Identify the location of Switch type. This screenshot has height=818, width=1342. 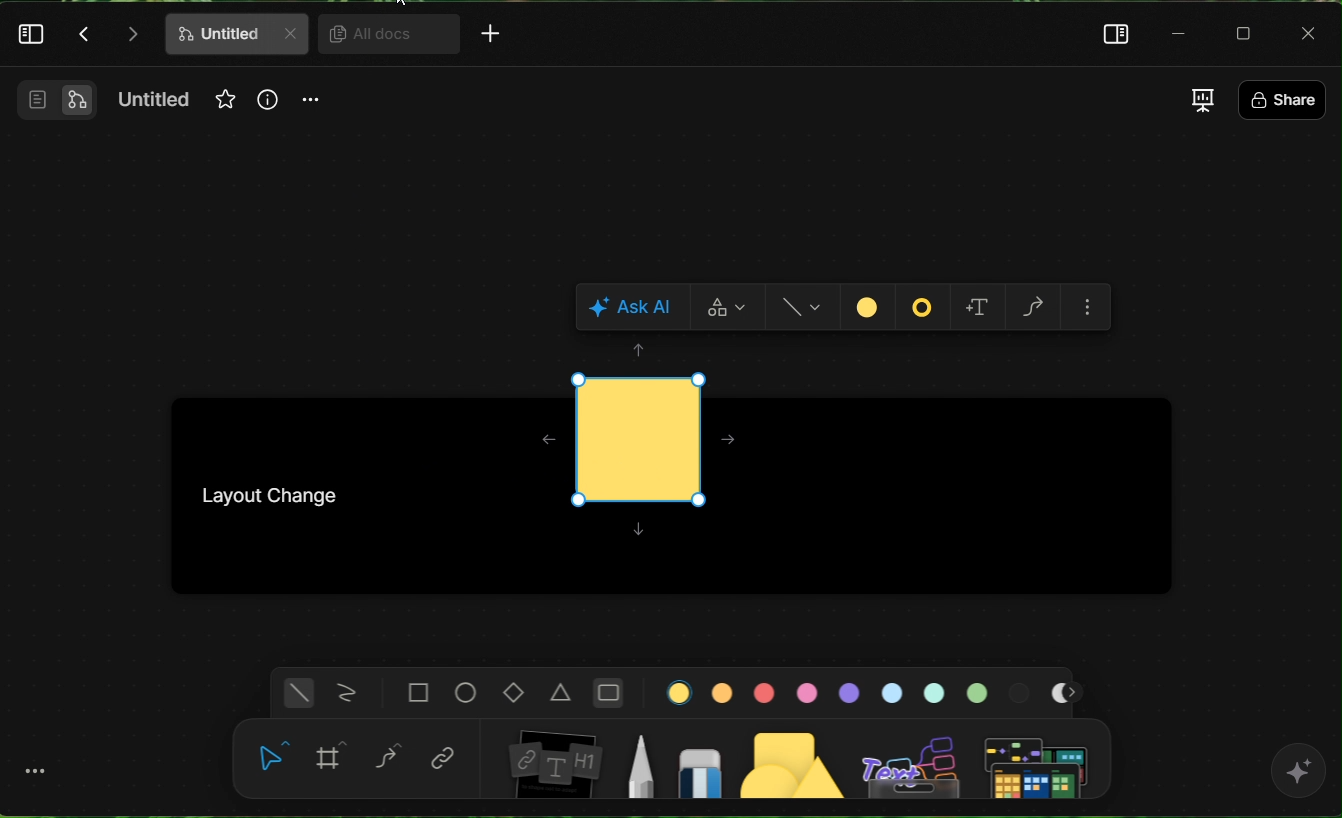
(726, 309).